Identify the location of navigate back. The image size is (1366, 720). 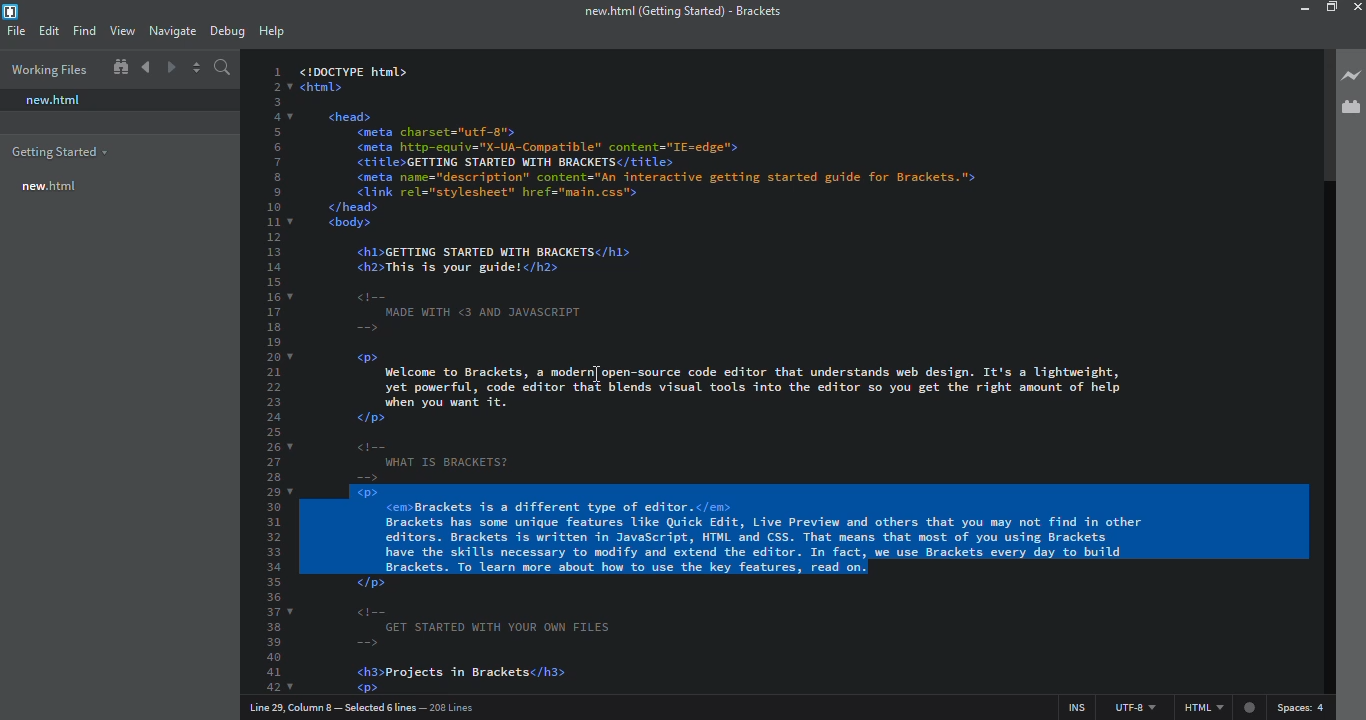
(149, 68).